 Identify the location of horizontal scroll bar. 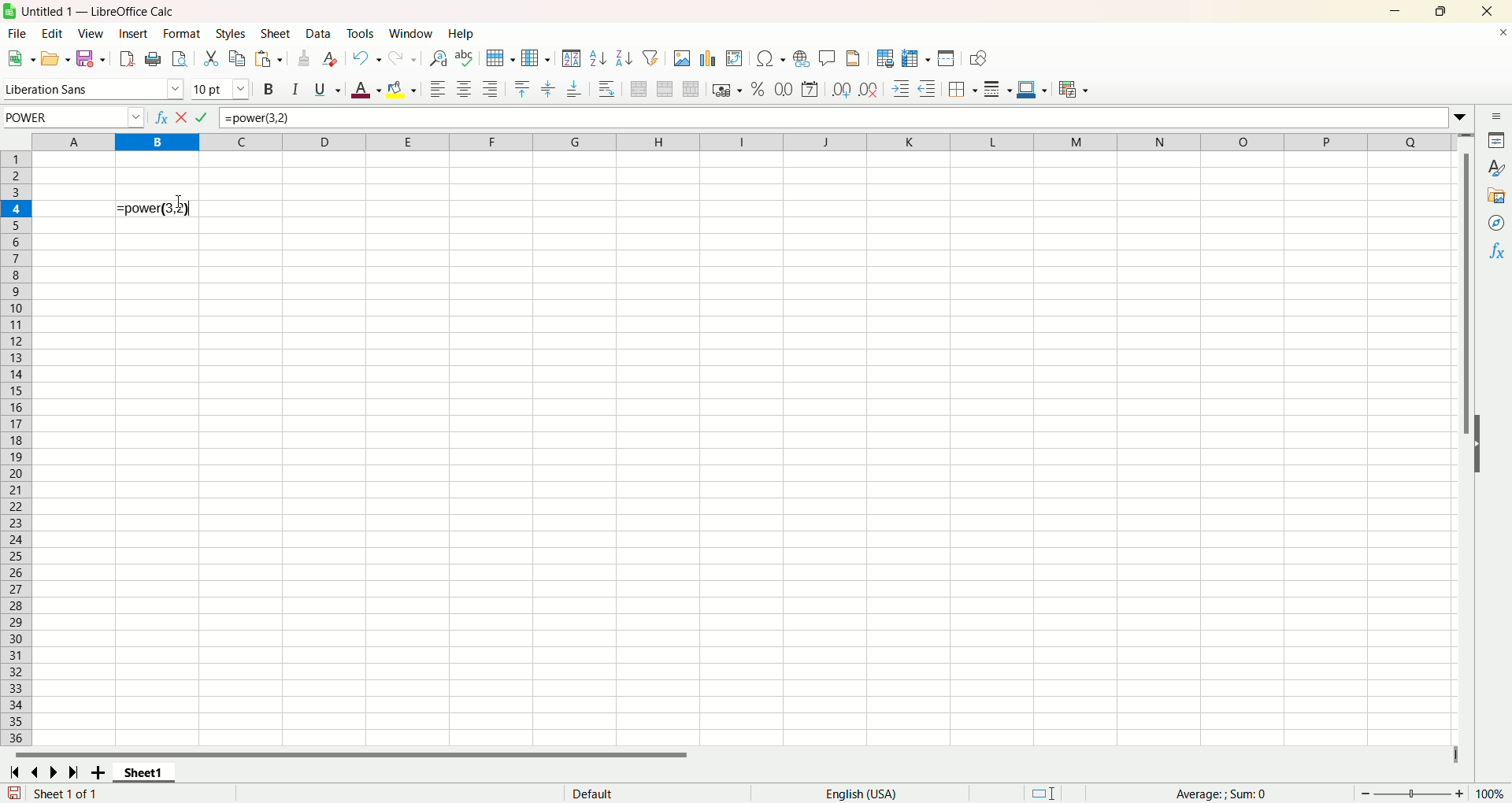
(726, 755).